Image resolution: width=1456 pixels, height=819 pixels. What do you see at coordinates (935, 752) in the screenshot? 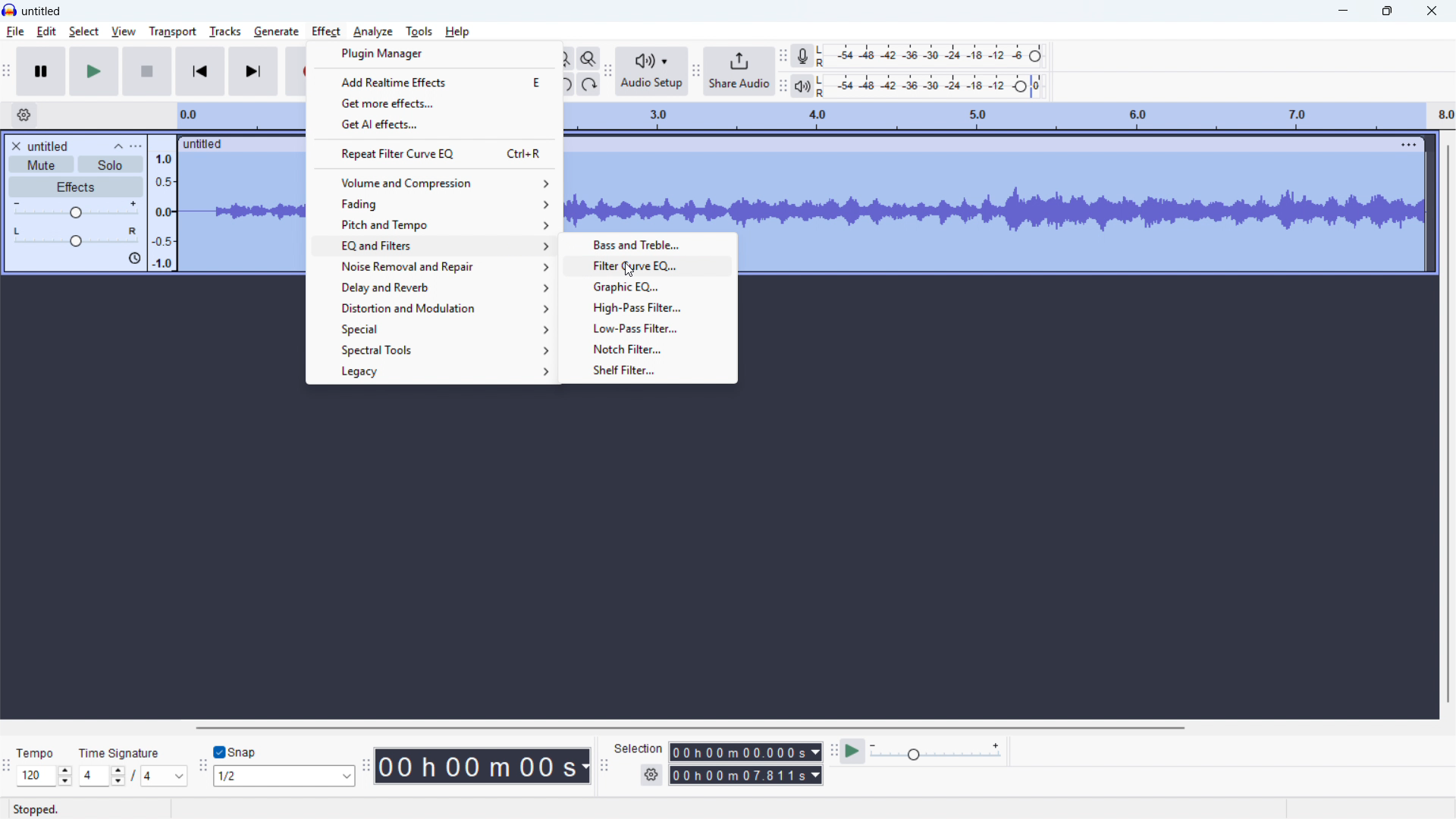
I see `Playback speed ` at bounding box center [935, 752].